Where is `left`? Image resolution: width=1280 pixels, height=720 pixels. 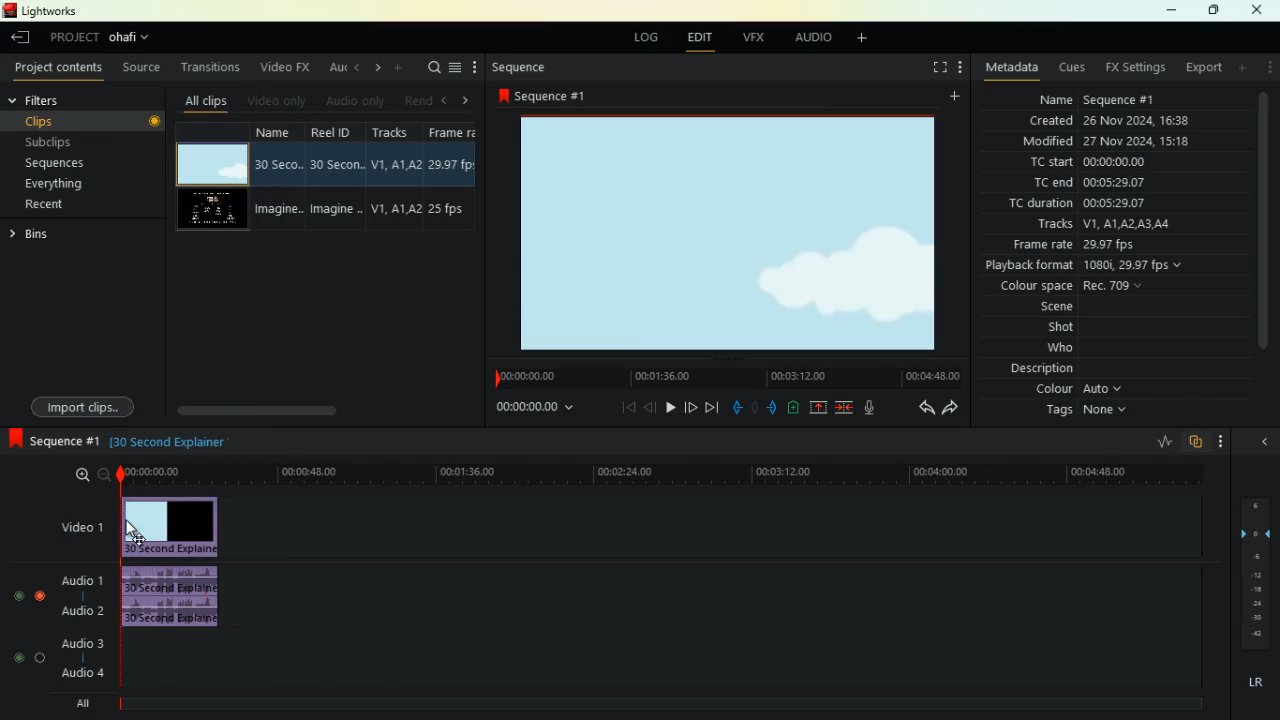
left is located at coordinates (358, 66).